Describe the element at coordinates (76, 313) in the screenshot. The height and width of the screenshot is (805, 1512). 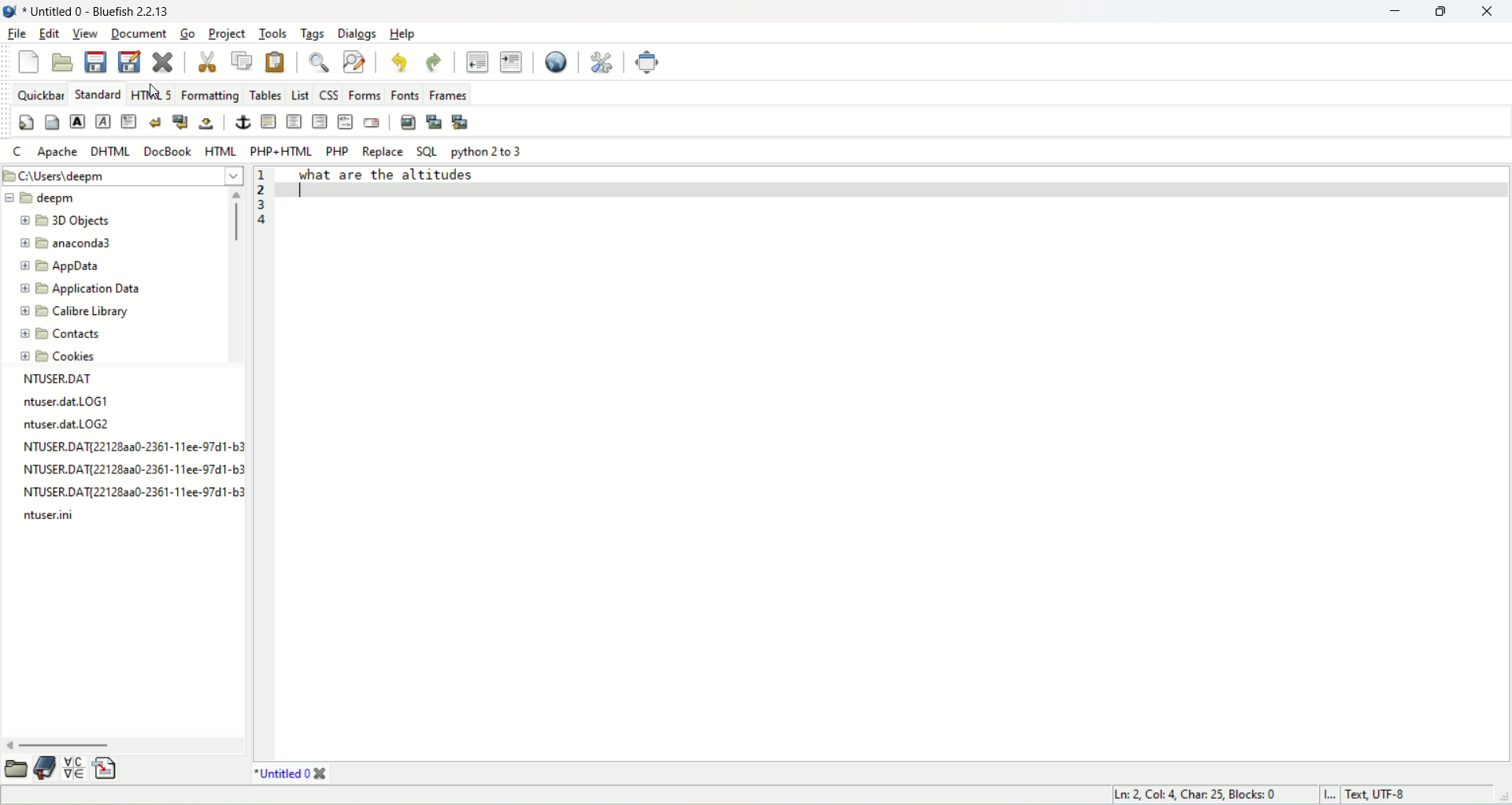
I see `calibre` at that location.